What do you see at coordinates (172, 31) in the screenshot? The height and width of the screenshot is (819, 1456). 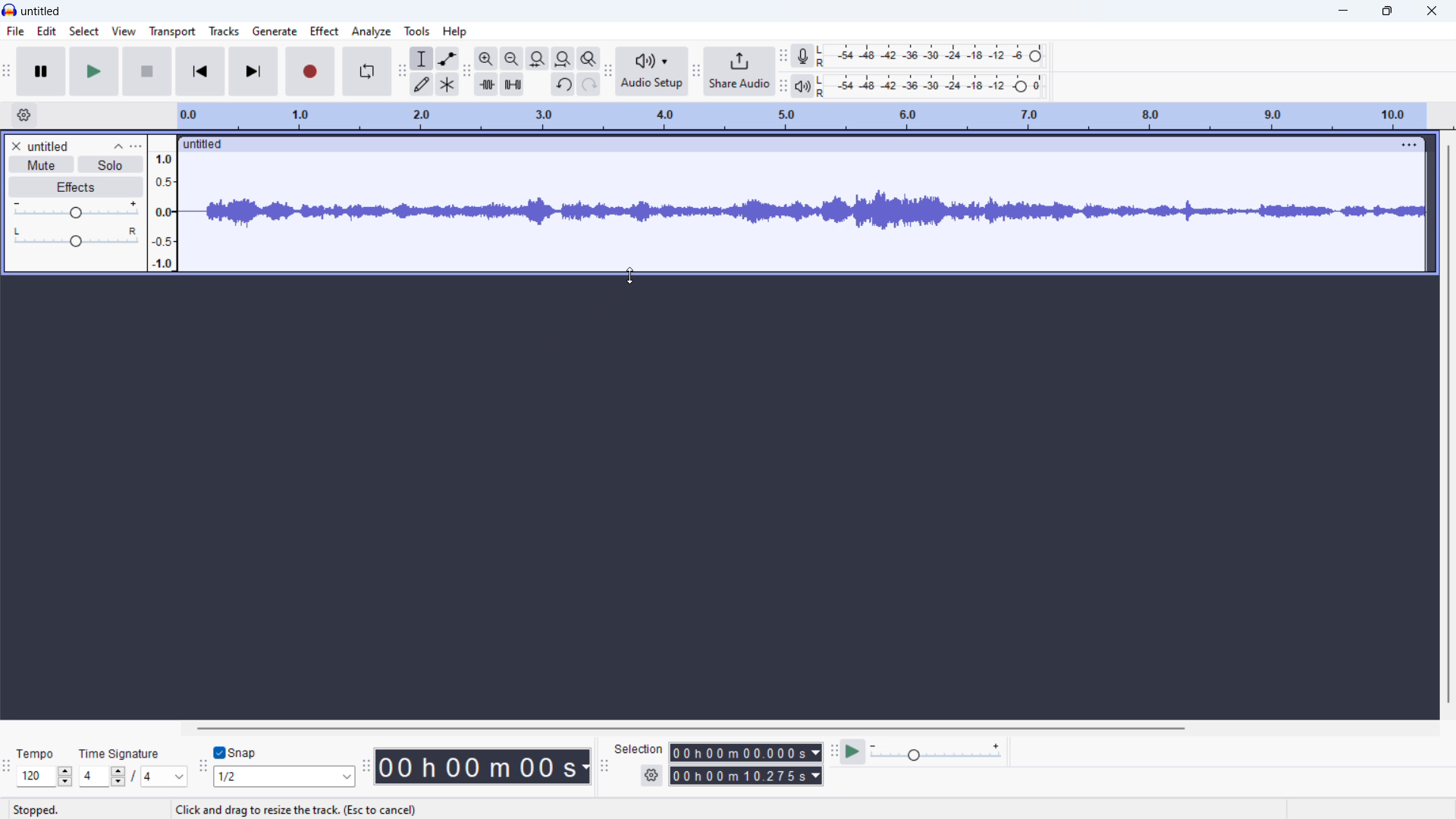 I see `transport` at bounding box center [172, 31].